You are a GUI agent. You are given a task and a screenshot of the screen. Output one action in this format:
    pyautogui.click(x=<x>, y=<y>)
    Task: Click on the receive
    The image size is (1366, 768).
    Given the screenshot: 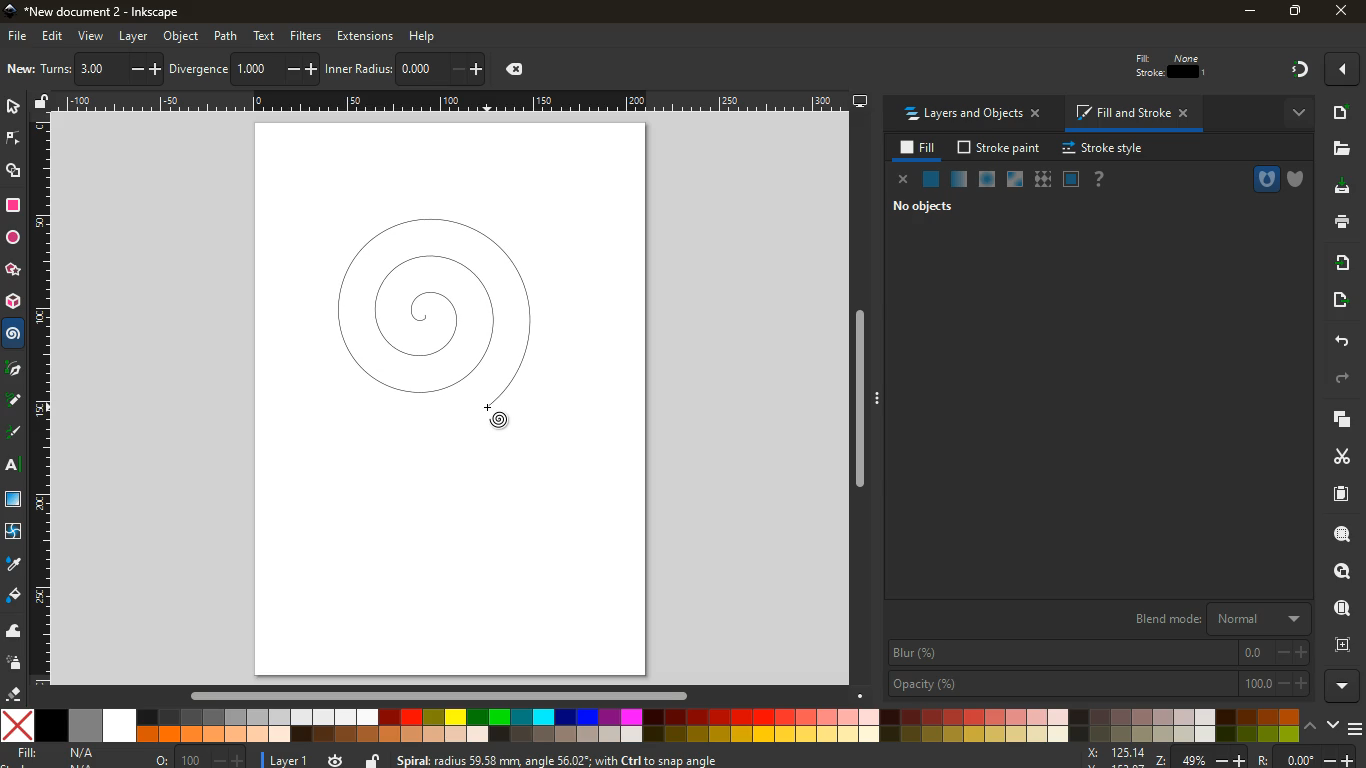 What is the action you would take?
    pyautogui.click(x=1340, y=264)
    